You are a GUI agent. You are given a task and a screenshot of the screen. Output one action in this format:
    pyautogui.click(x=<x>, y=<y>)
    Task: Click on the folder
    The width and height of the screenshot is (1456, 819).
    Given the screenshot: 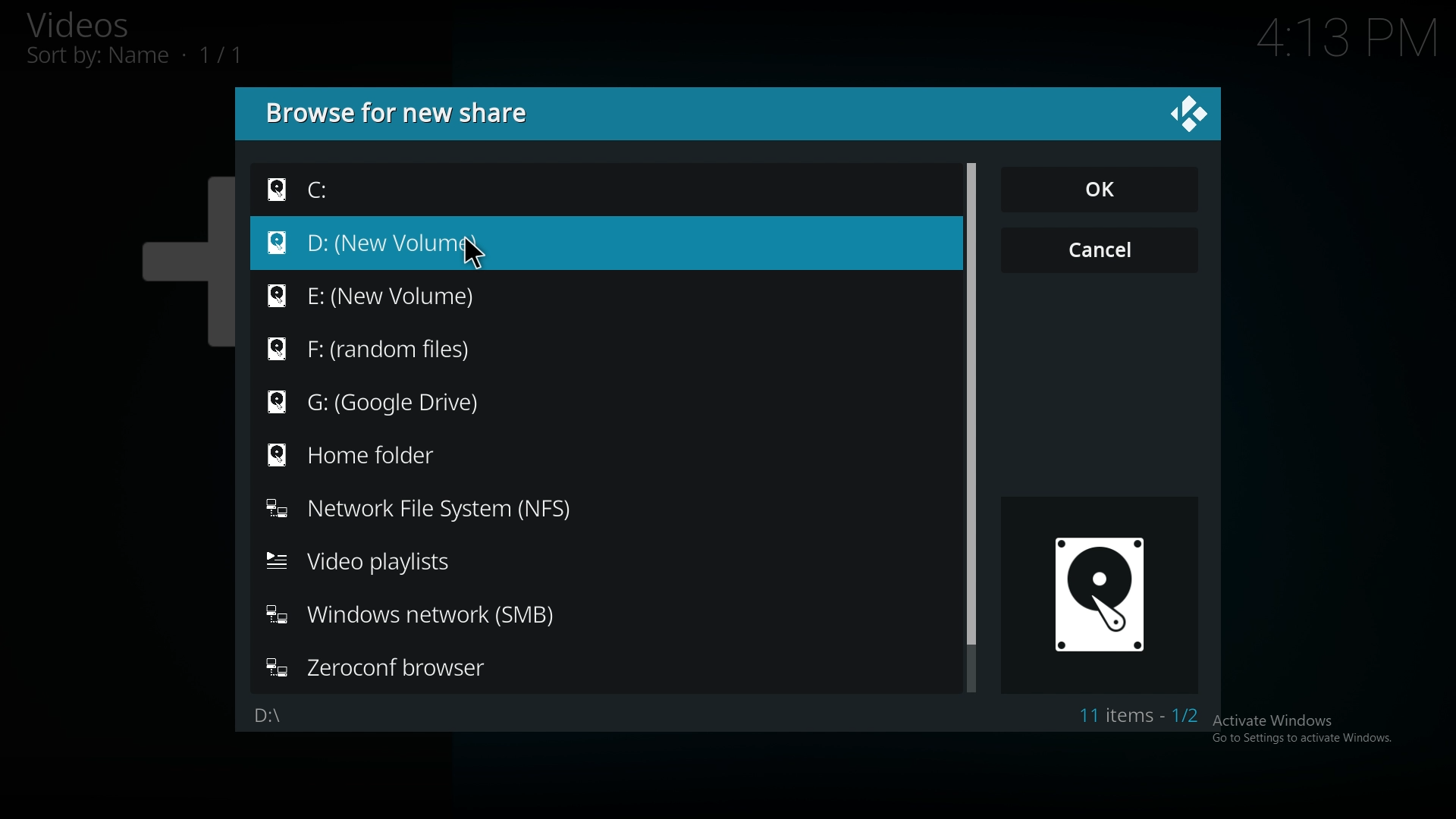 What is the action you would take?
    pyautogui.click(x=424, y=510)
    